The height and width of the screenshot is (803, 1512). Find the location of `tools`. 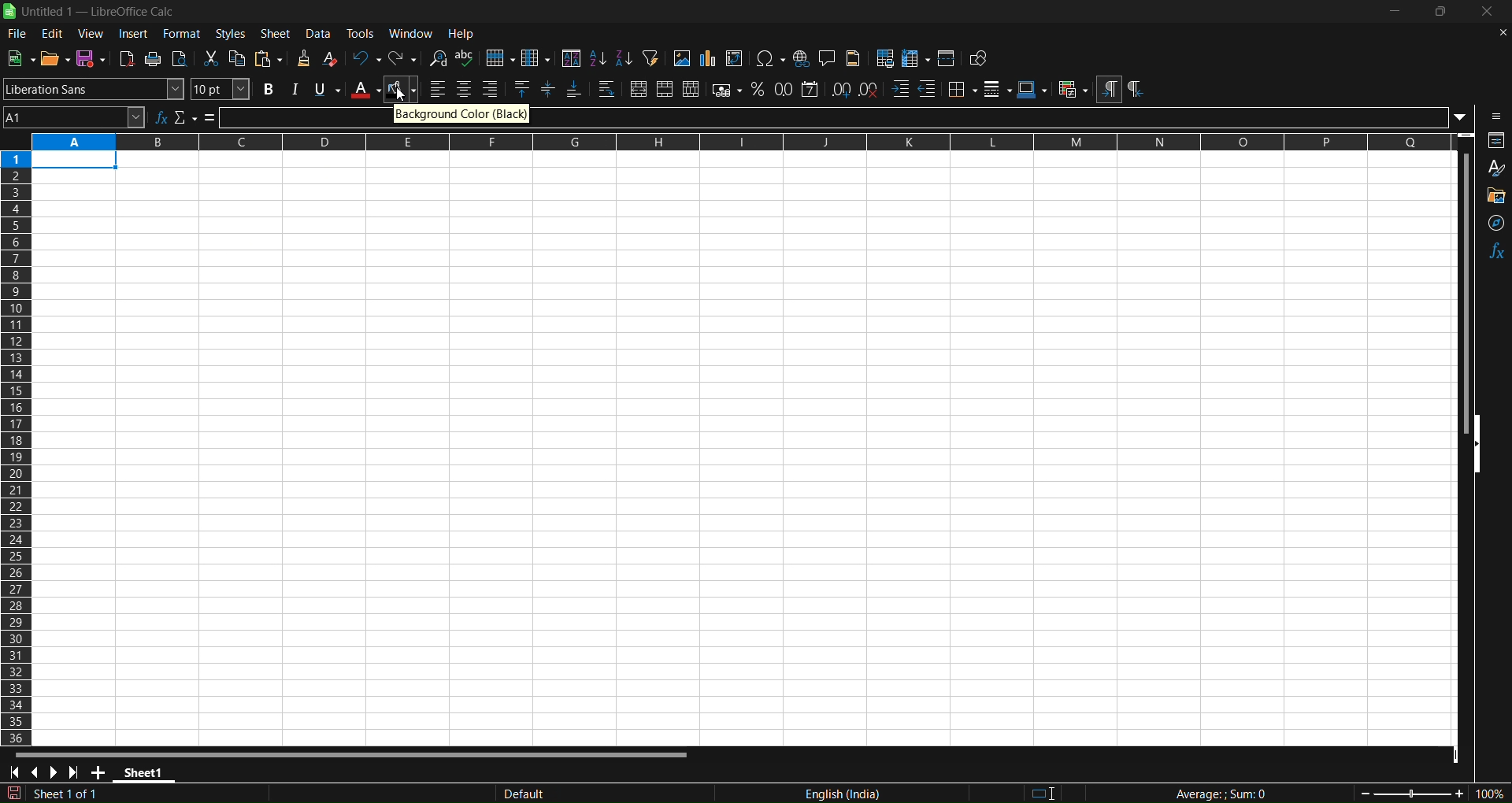

tools is located at coordinates (361, 33).